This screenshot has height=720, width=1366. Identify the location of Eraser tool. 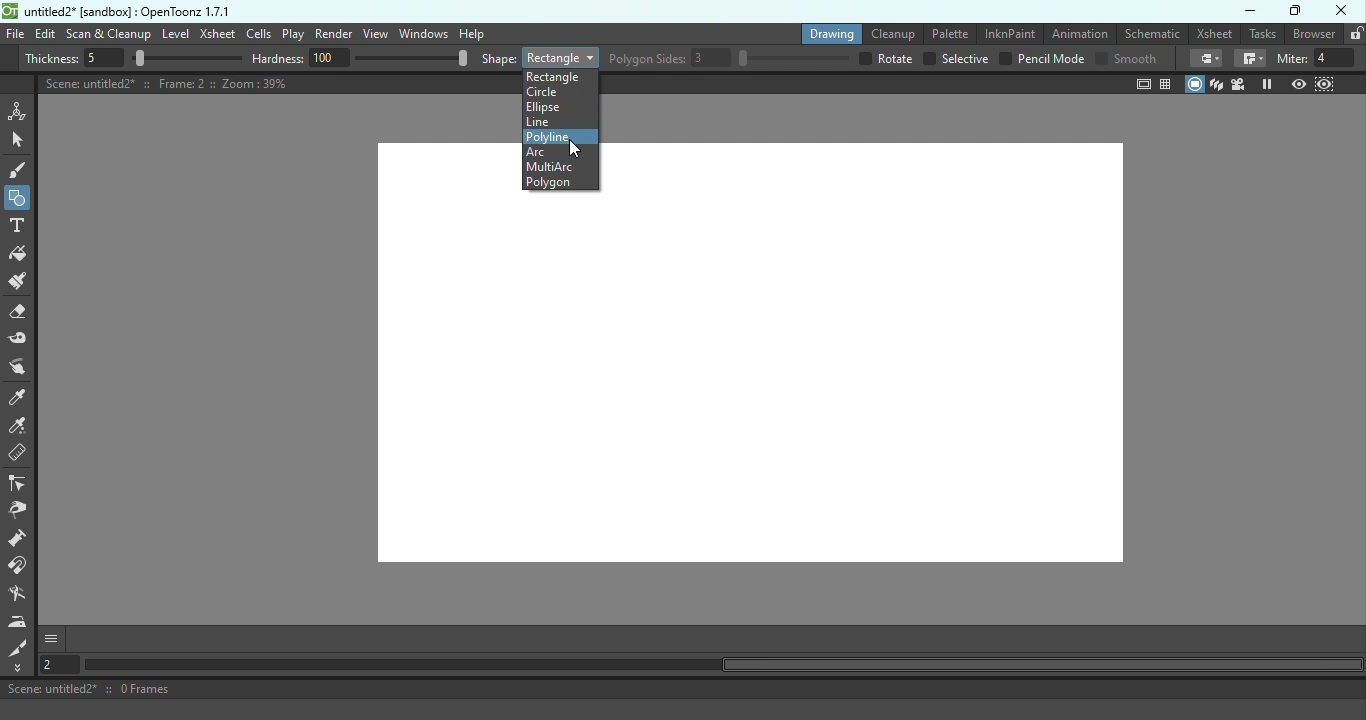
(21, 315).